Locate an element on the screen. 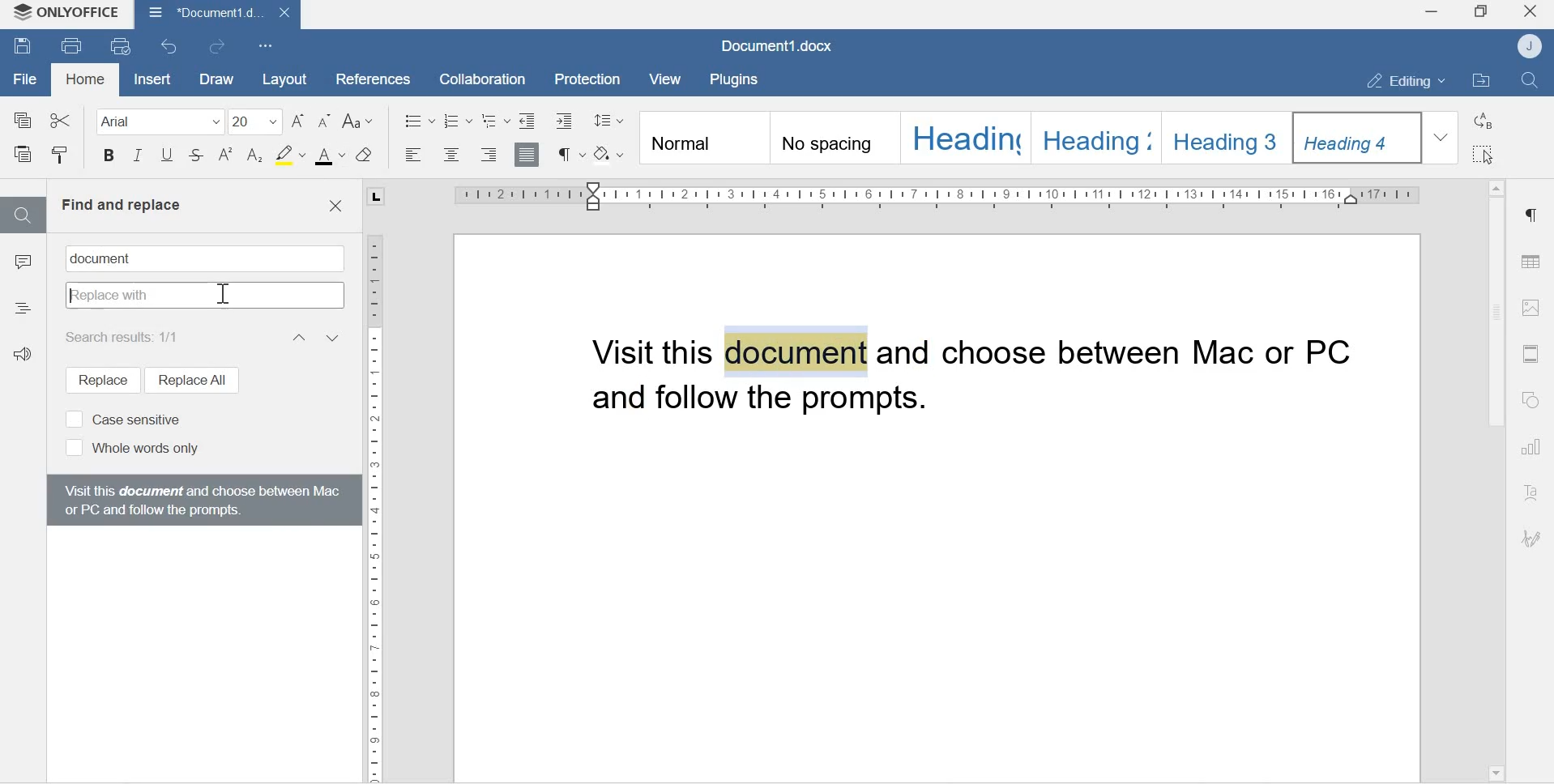 The height and width of the screenshot is (784, 1554). Multilevel List is located at coordinates (495, 120).